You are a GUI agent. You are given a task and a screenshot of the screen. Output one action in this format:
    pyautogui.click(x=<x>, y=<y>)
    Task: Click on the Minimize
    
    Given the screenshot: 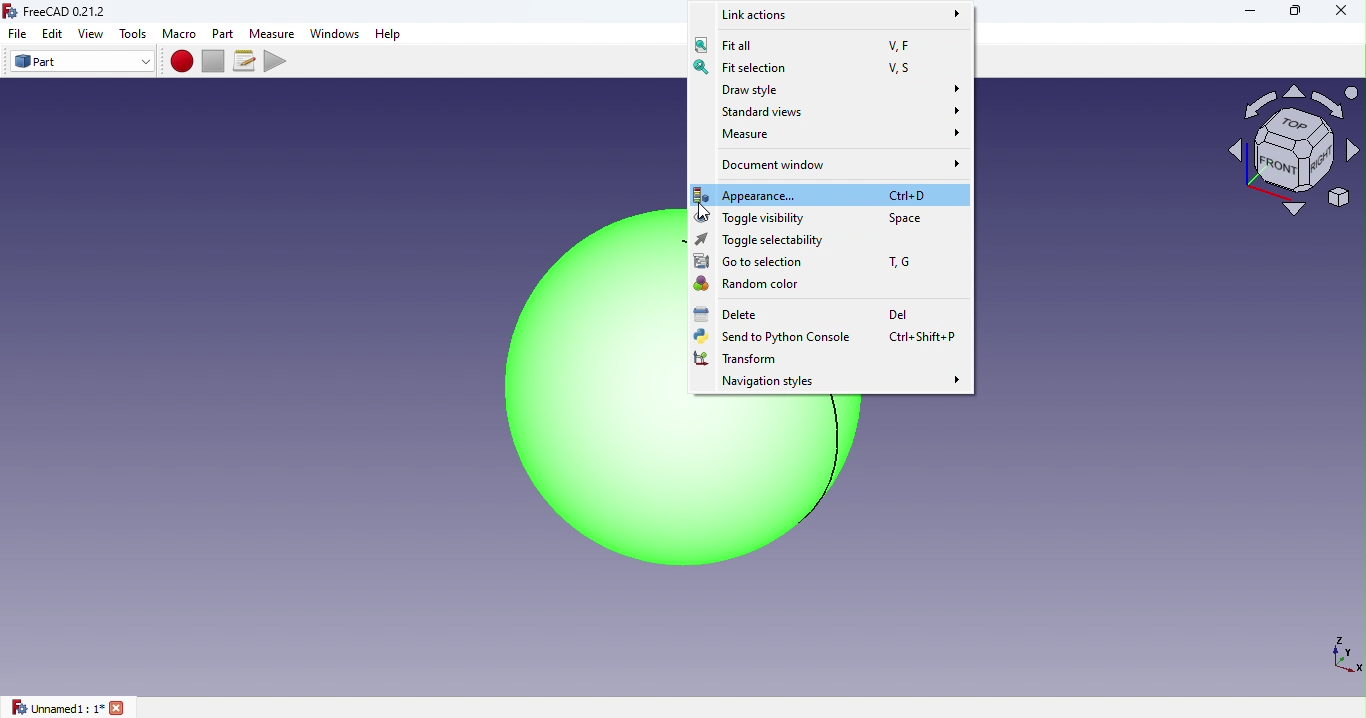 What is the action you would take?
    pyautogui.click(x=1247, y=11)
    